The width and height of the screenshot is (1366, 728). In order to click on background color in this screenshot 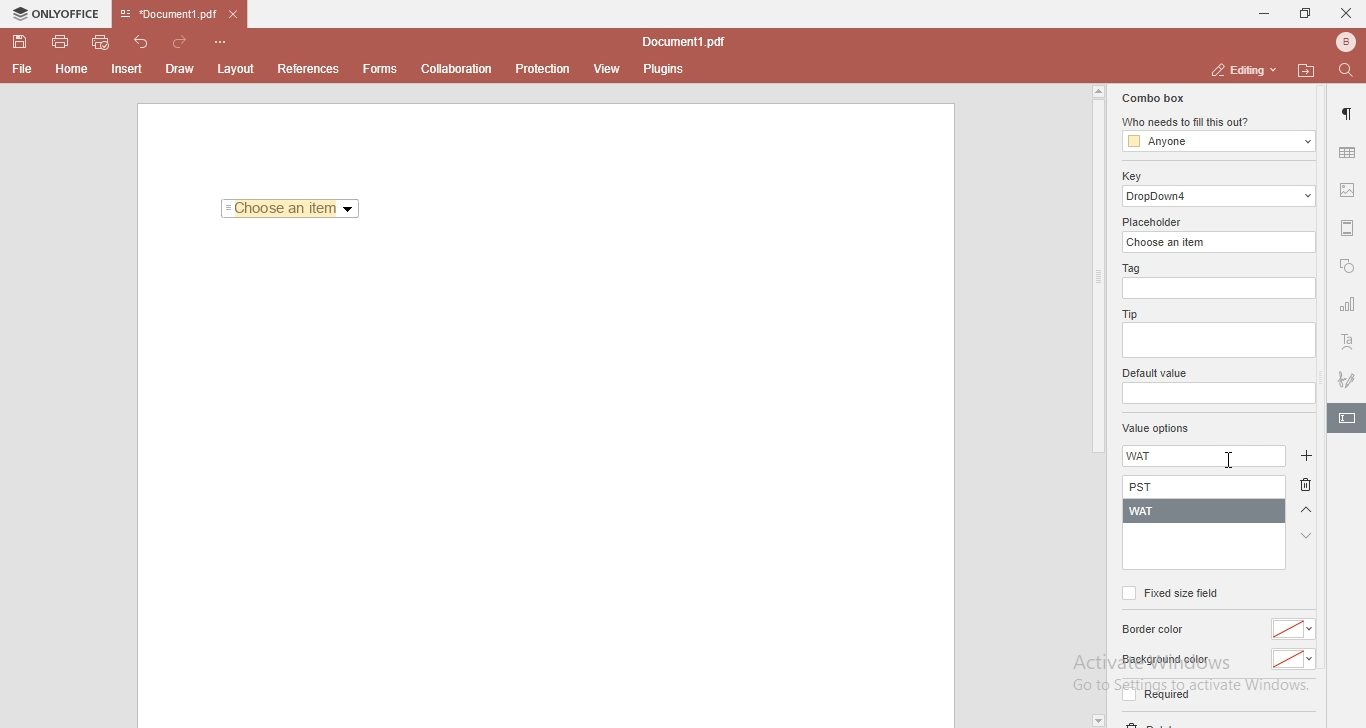, I will do `click(1164, 660)`.